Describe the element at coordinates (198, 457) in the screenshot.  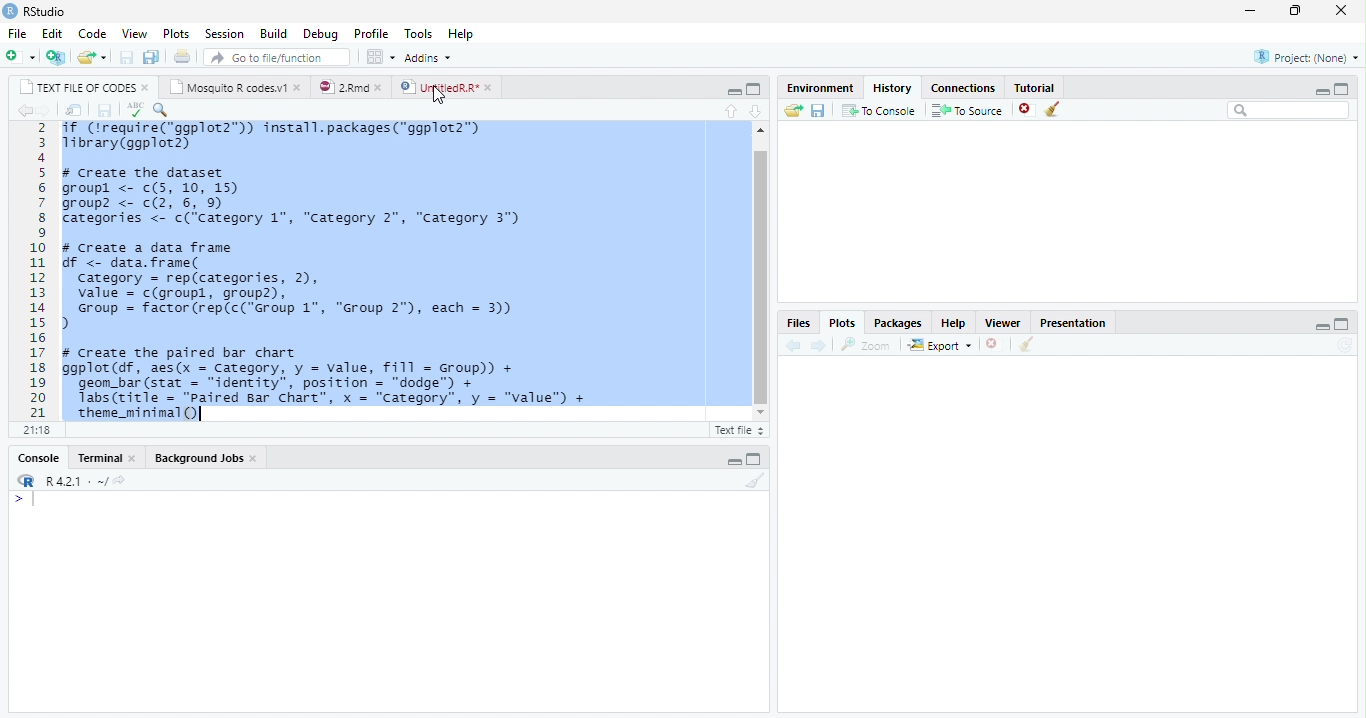
I see `background jobs` at that location.